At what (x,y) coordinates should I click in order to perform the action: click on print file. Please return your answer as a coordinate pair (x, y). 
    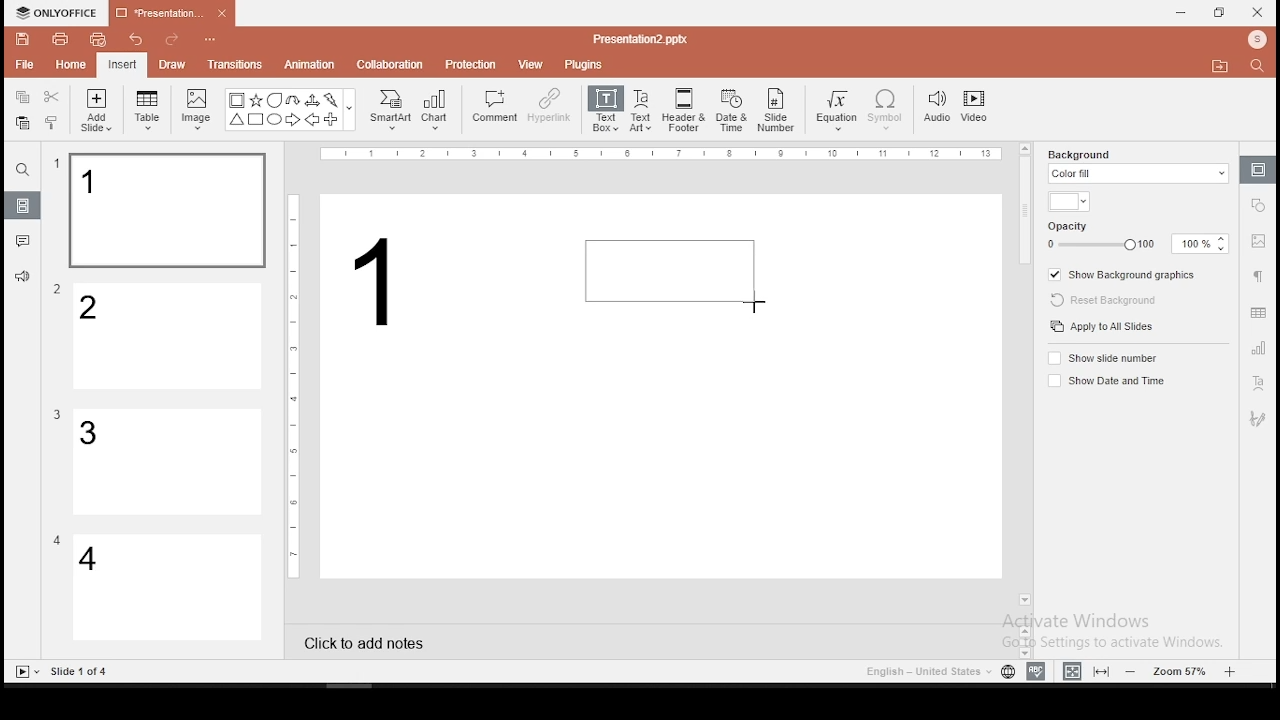
    Looking at the image, I should click on (60, 37).